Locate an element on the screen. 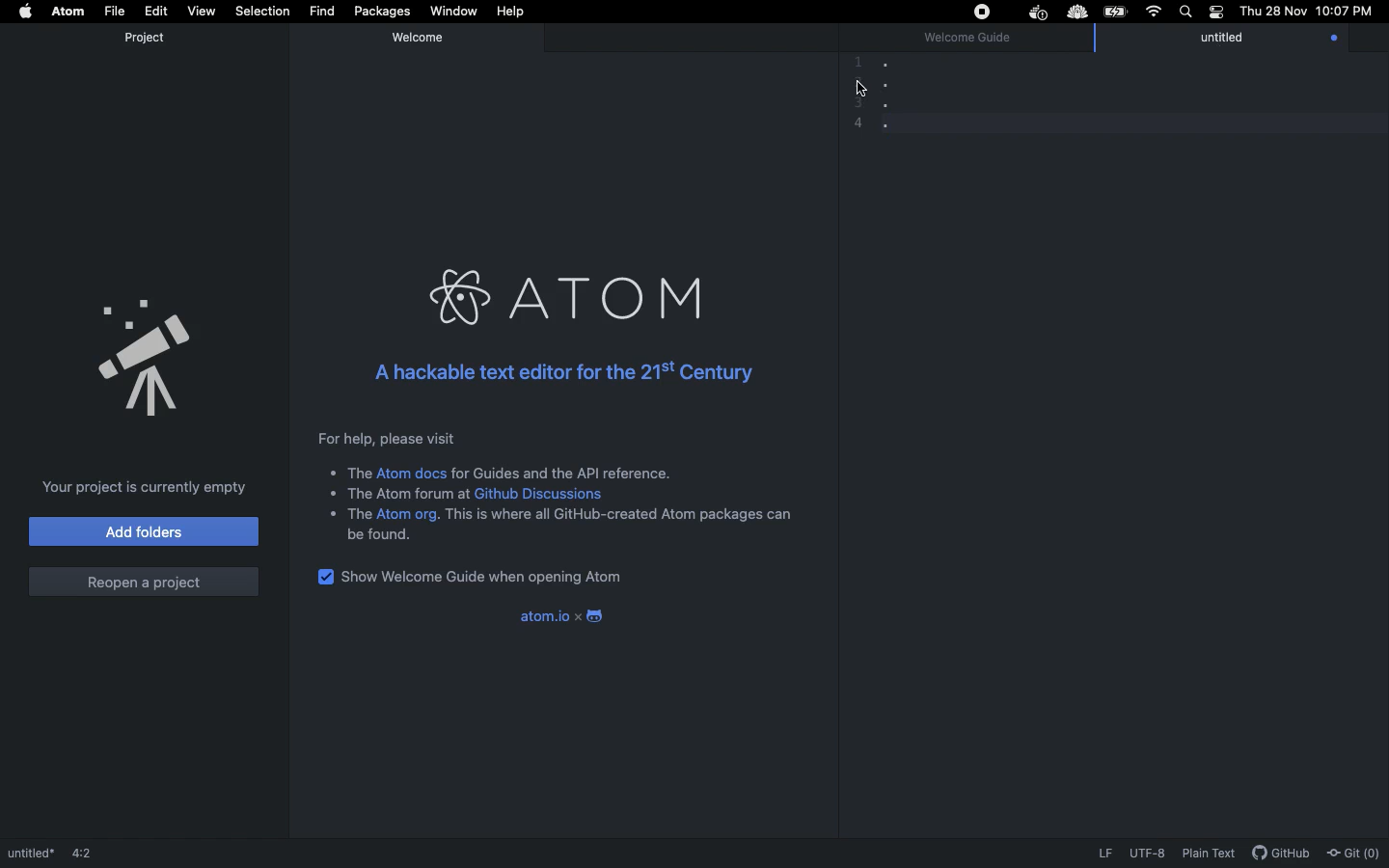 The height and width of the screenshot is (868, 1389). Selection is located at coordinates (260, 12).